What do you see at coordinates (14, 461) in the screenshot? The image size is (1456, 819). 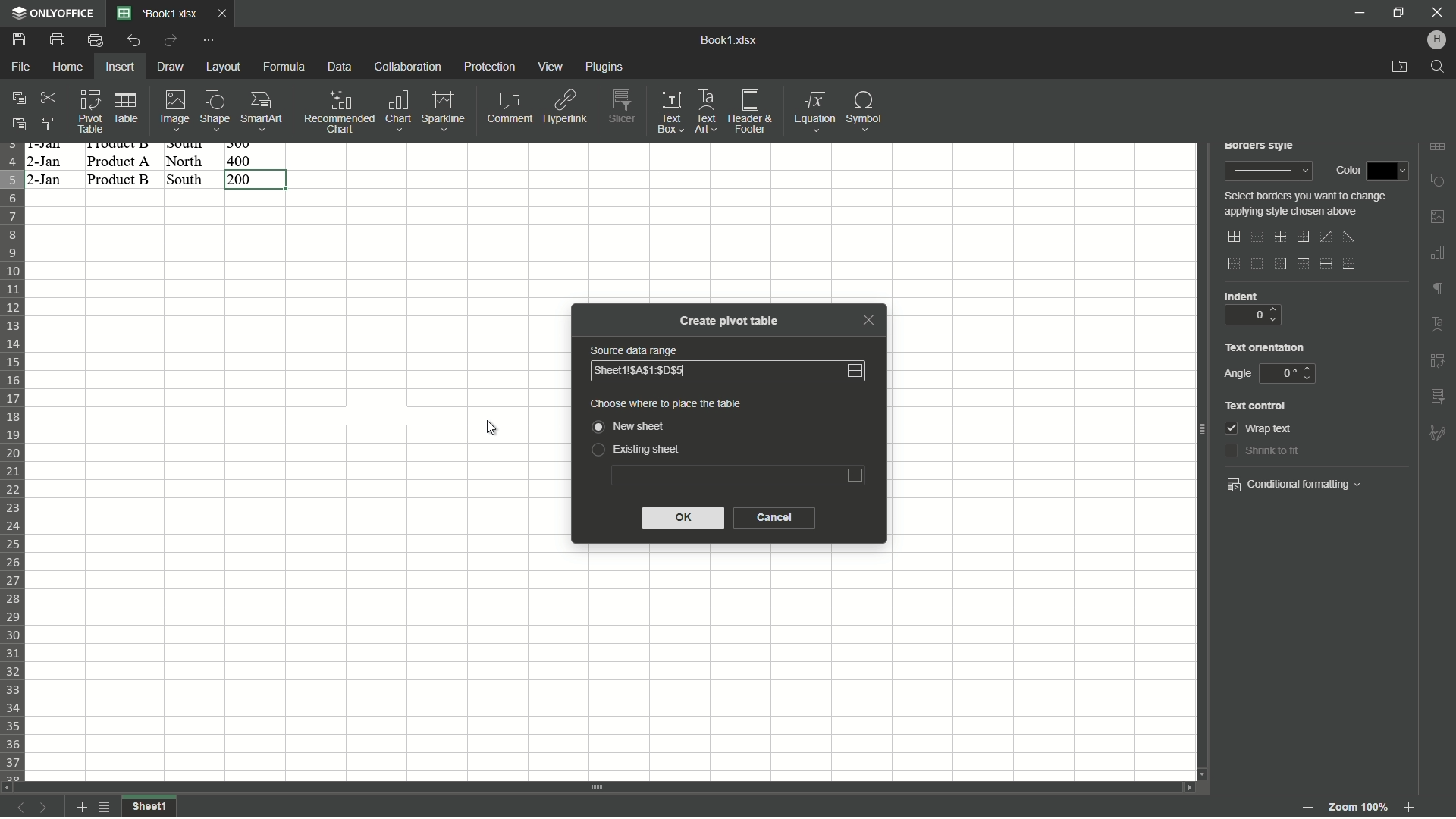 I see `row number` at bounding box center [14, 461].